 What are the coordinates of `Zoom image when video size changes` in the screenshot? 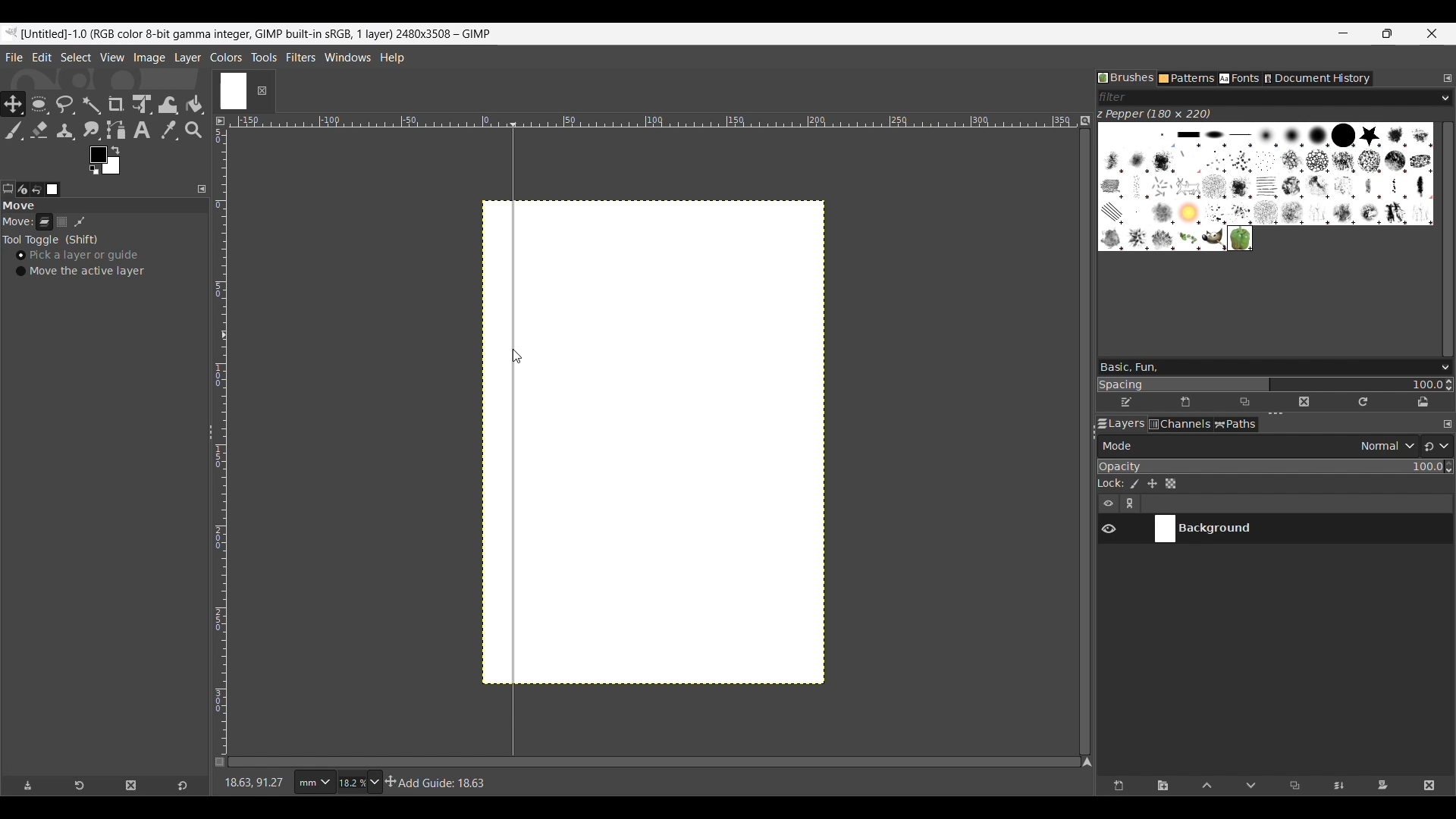 It's located at (1084, 121).